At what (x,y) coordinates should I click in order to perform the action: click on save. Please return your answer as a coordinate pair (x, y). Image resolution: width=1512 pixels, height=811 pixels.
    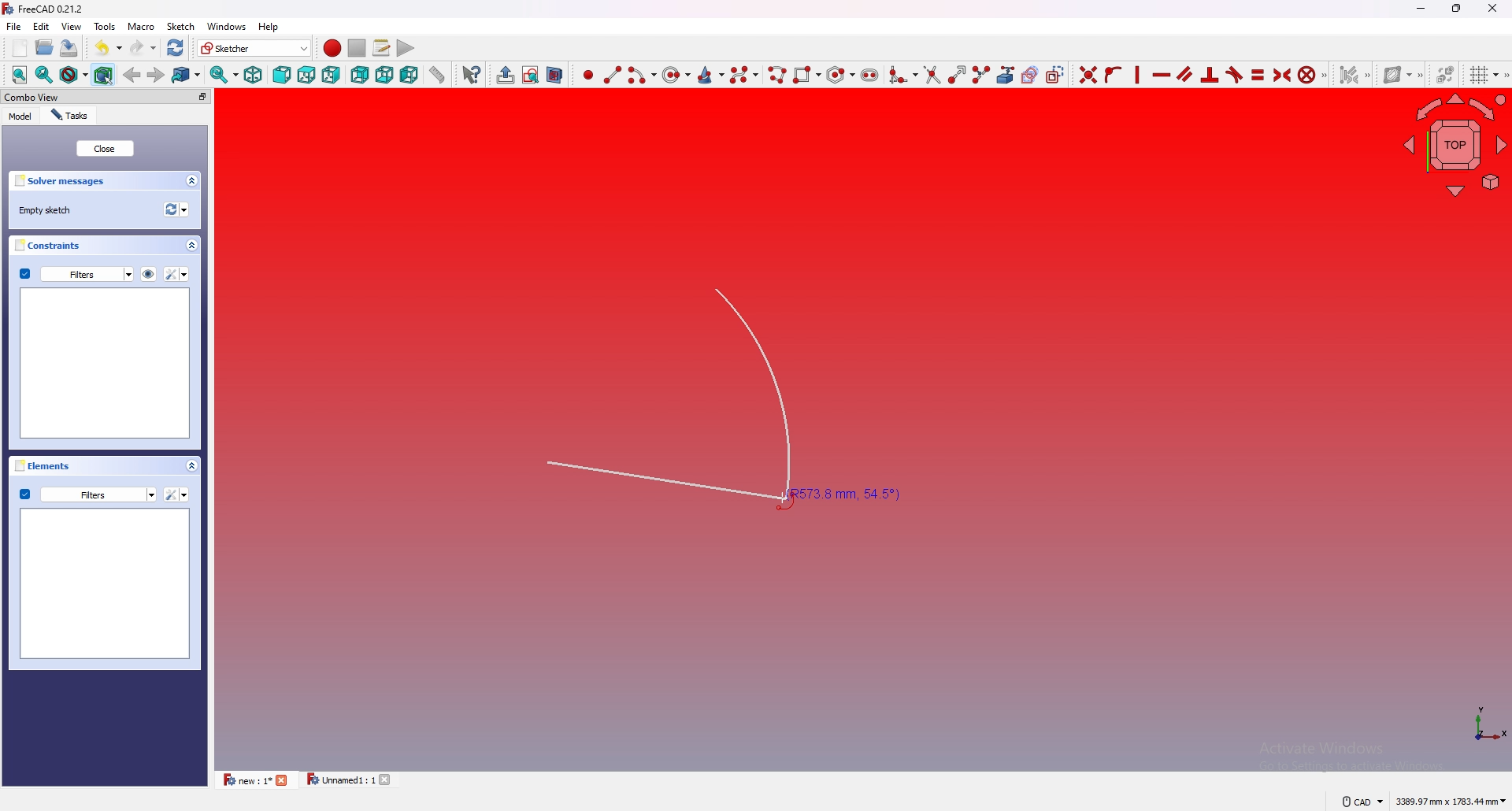
    Looking at the image, I should click on (68, 47).